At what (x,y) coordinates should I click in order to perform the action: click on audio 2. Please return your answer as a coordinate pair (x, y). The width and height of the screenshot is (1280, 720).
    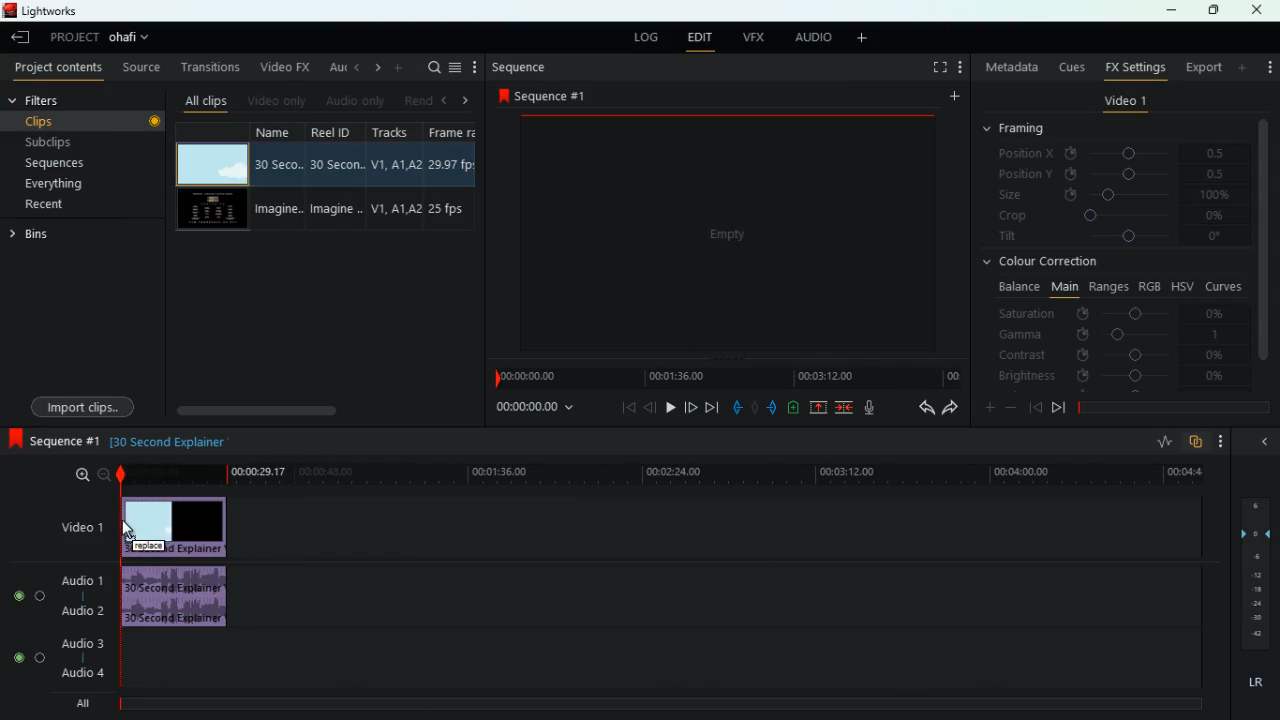
    Looking at the image, I should click on (80, 611).